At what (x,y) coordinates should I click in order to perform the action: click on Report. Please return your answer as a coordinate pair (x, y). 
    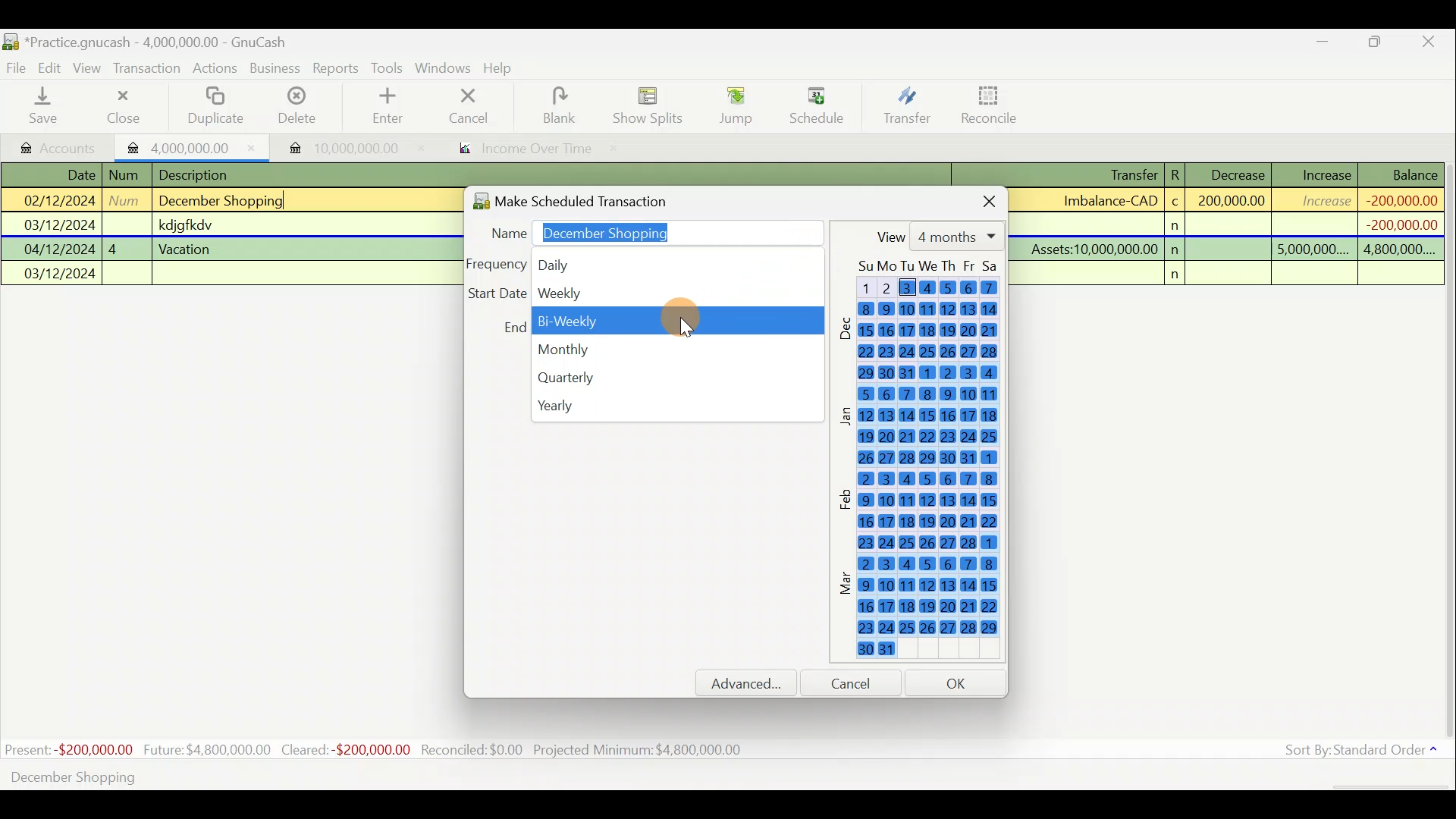
    Looking at the image, I should click on (520, 150).